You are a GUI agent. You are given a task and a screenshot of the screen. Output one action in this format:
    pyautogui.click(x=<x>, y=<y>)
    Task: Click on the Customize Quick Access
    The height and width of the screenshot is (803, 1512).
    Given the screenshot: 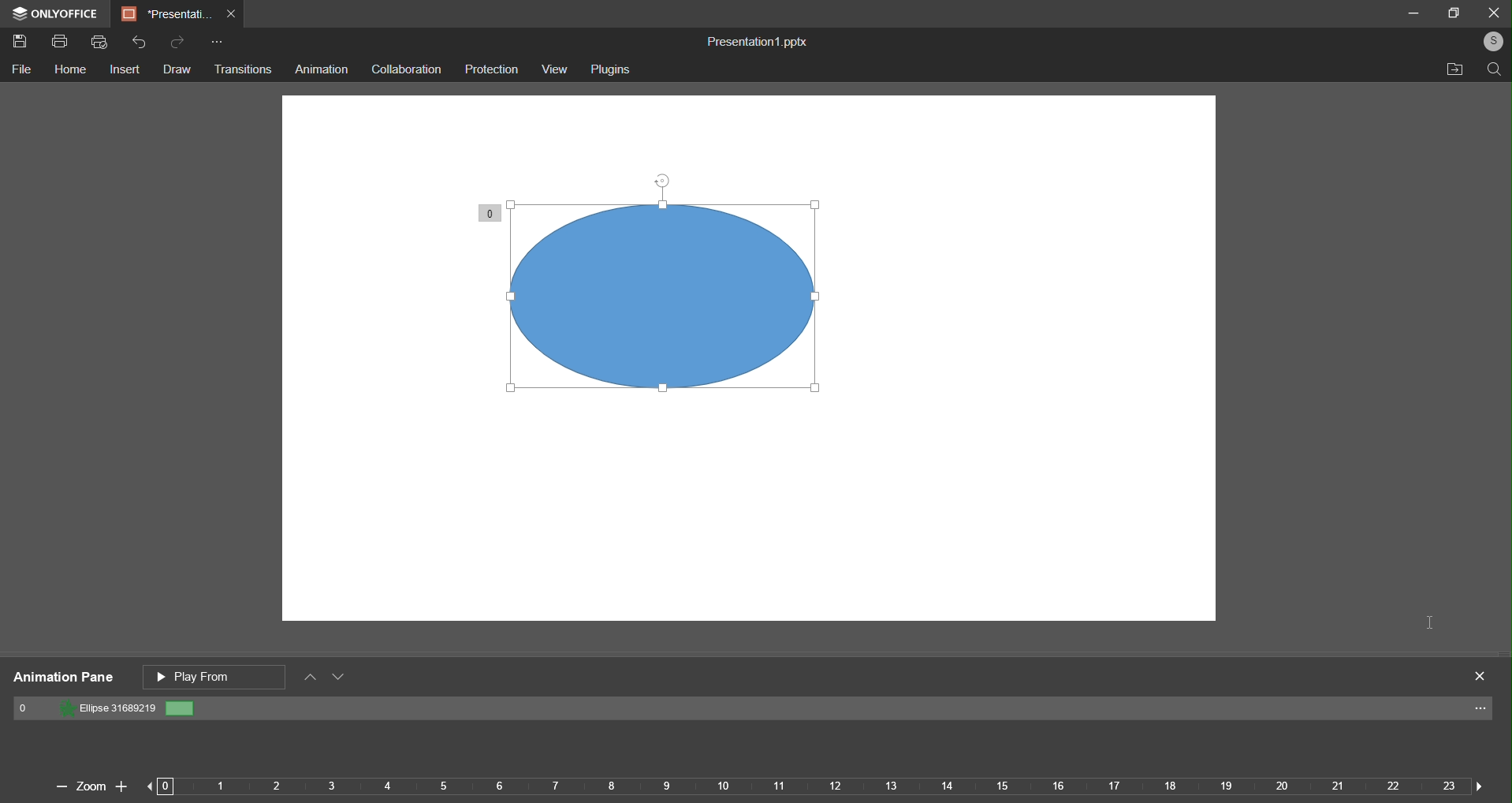 What is the action you would take?
    pyautogui.click(x=217, y=43)
    